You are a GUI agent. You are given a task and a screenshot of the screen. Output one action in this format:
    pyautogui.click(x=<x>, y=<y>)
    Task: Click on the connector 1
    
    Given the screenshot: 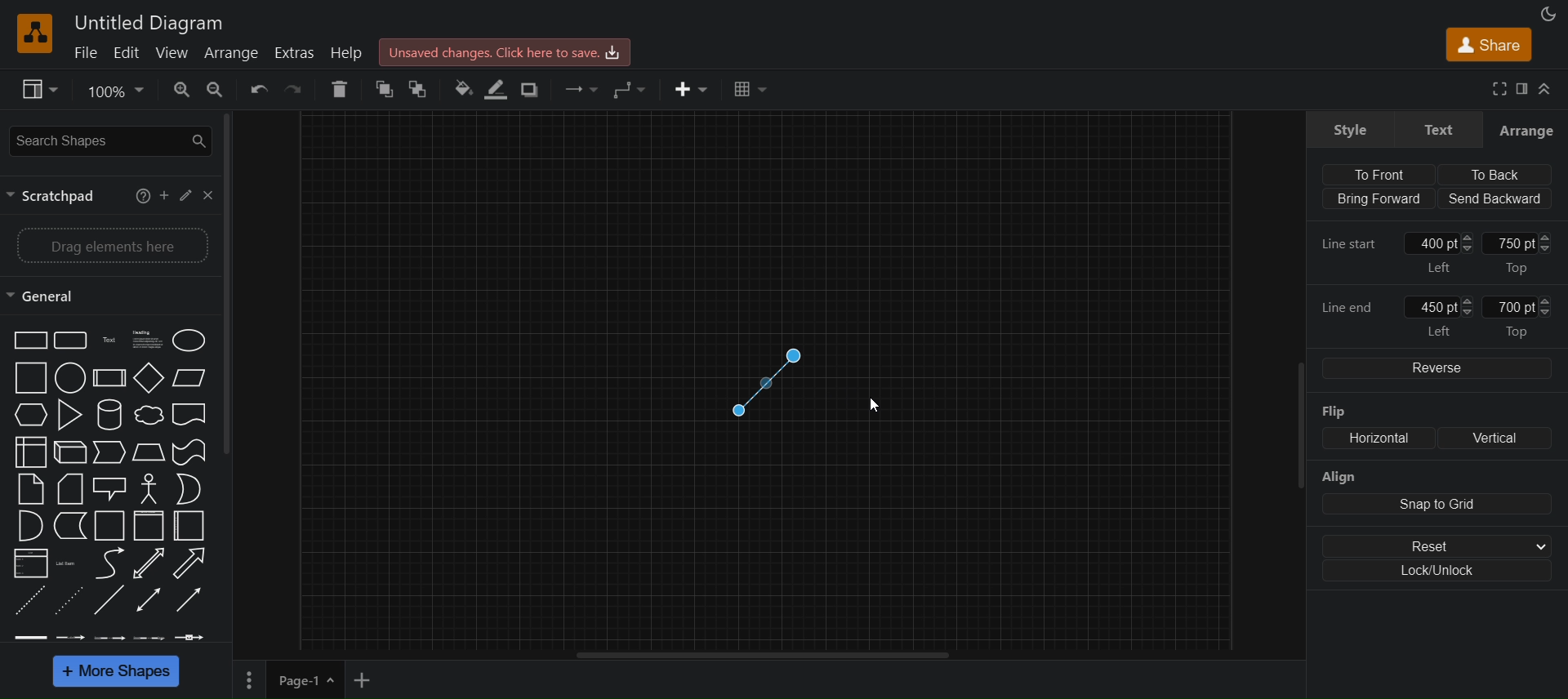 What is the action you would take?
    pyautogui.click(x=29, y=637)
    